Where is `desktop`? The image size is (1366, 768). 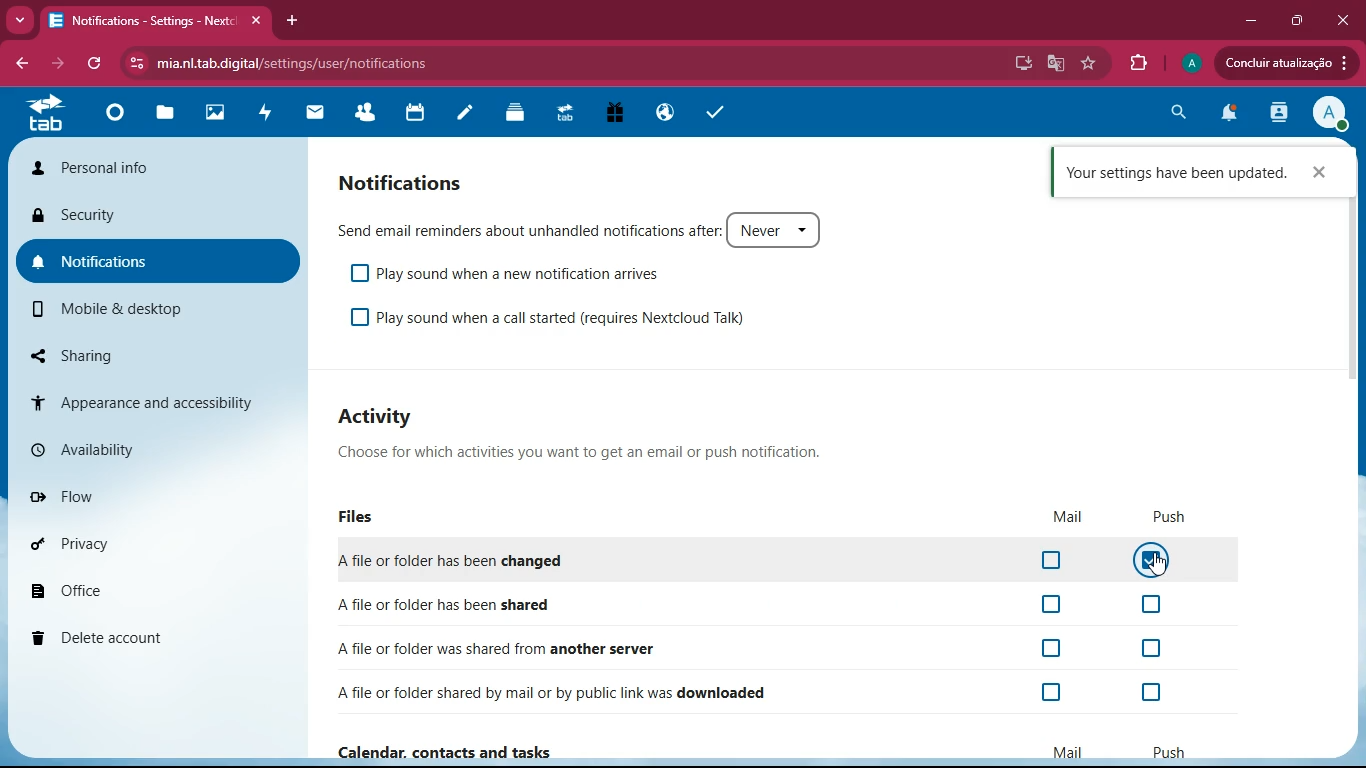
desktop is located at coordinates (1020, 63).